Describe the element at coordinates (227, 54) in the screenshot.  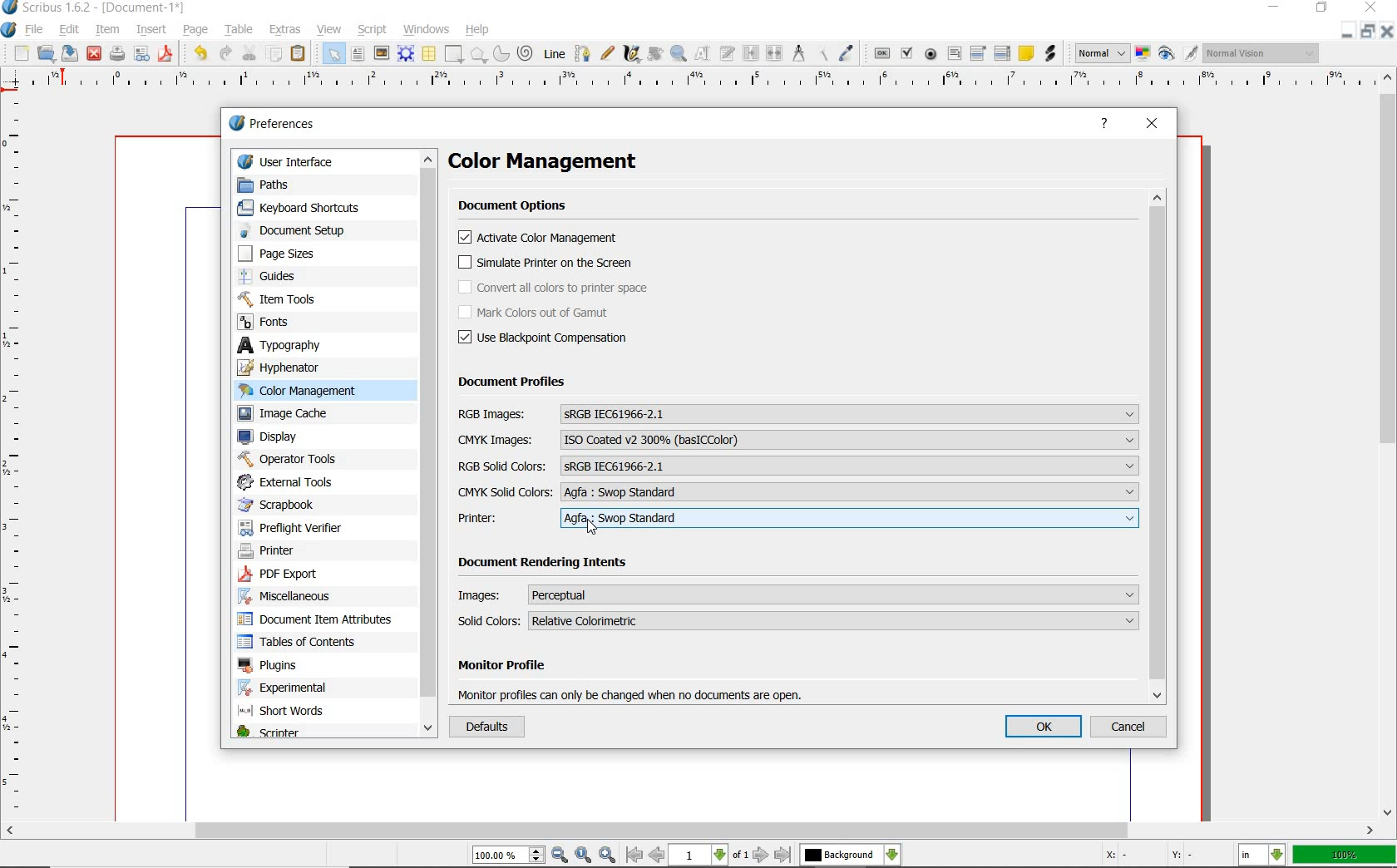
I see `redo` at that location.